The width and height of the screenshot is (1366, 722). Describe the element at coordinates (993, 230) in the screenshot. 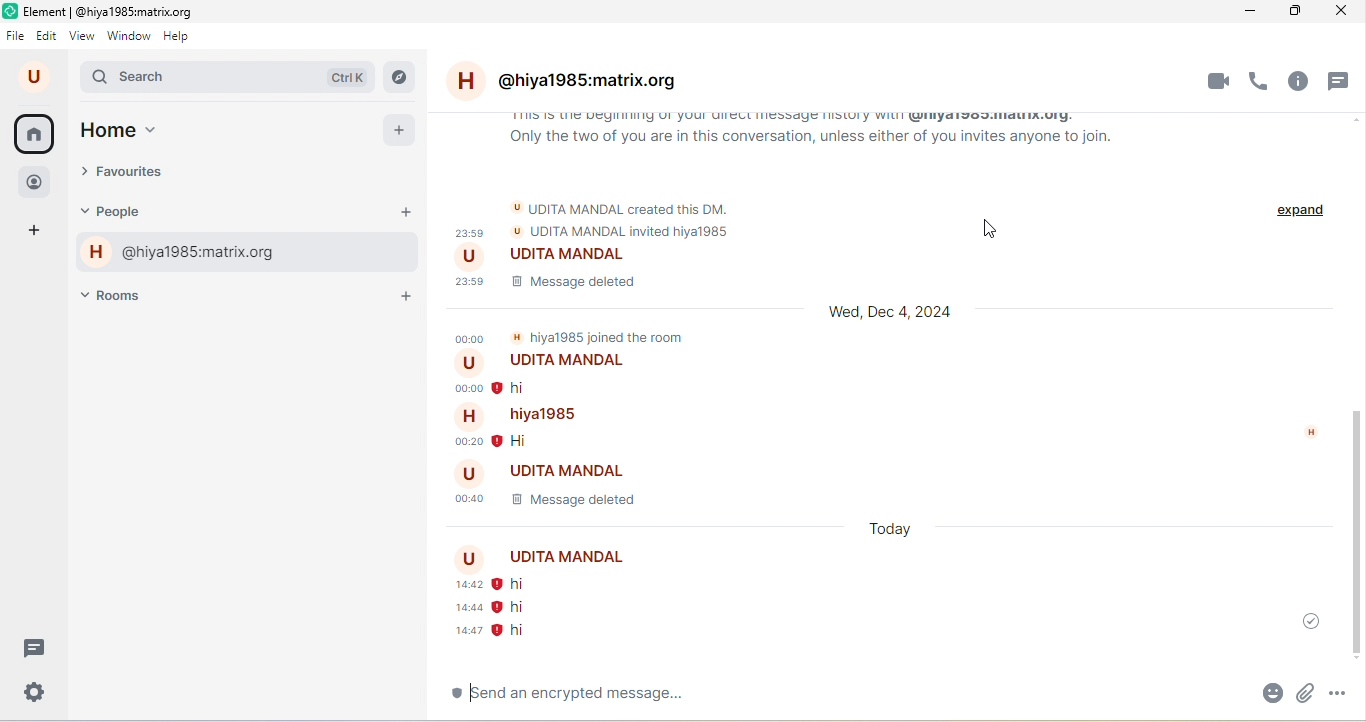

I see `cursor` at that location.